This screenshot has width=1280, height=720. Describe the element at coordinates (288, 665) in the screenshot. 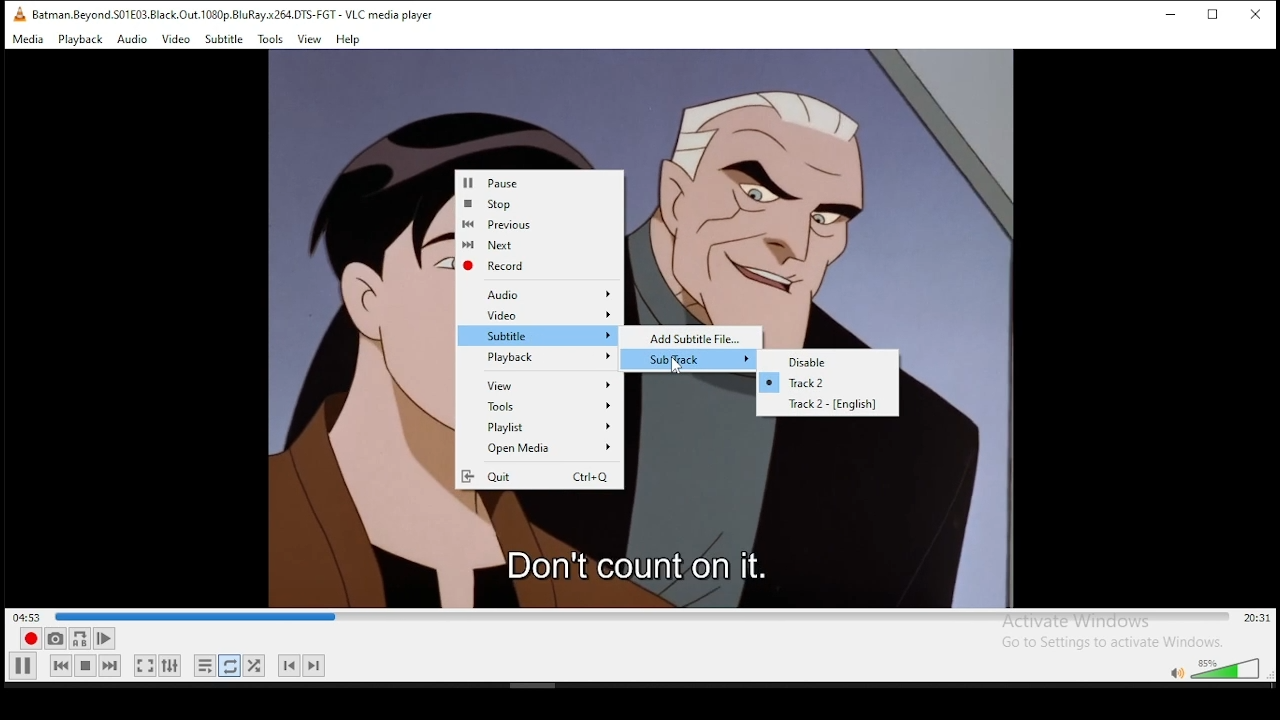

I see `Previous Track ` at that location.